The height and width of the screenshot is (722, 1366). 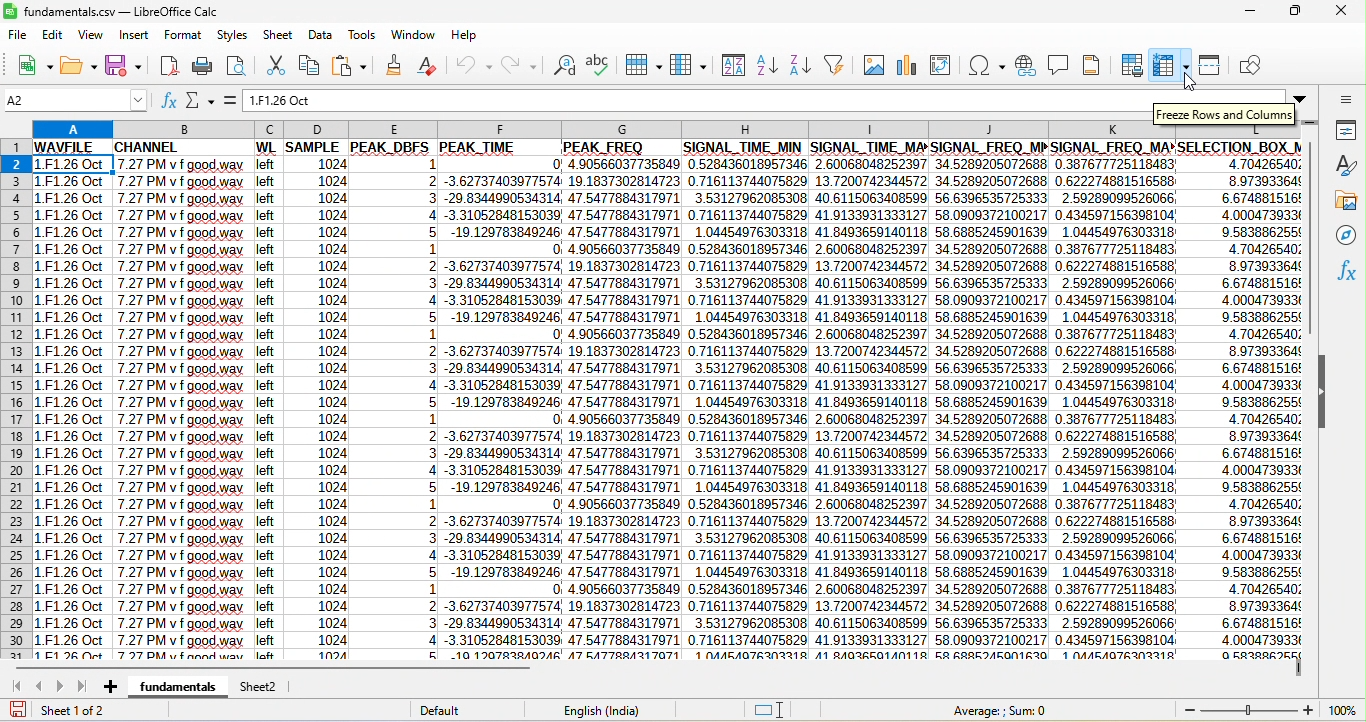 What do you see at coordinates (1225, 116) in the screenshot?
I see `freeze row and columns dialog box` at bounding box center [1225, 116].